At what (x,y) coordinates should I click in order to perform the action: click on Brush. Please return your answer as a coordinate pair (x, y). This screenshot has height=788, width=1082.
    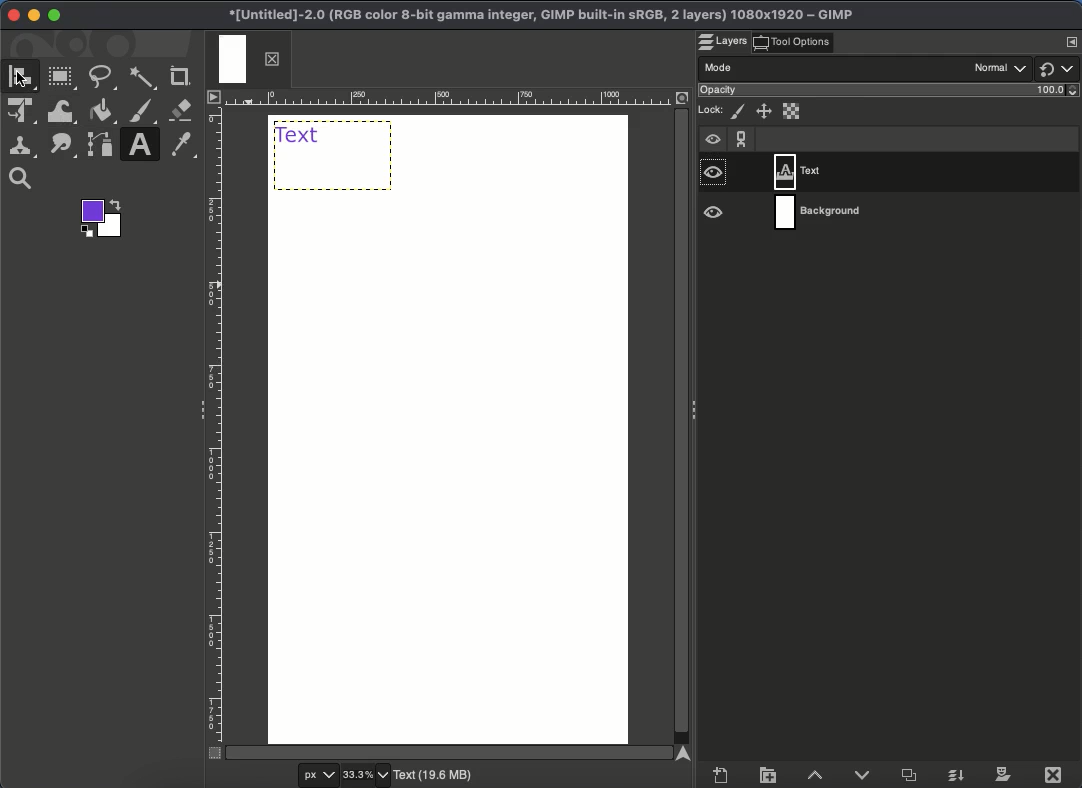
    Looking at the image, I should click on (143, 113).